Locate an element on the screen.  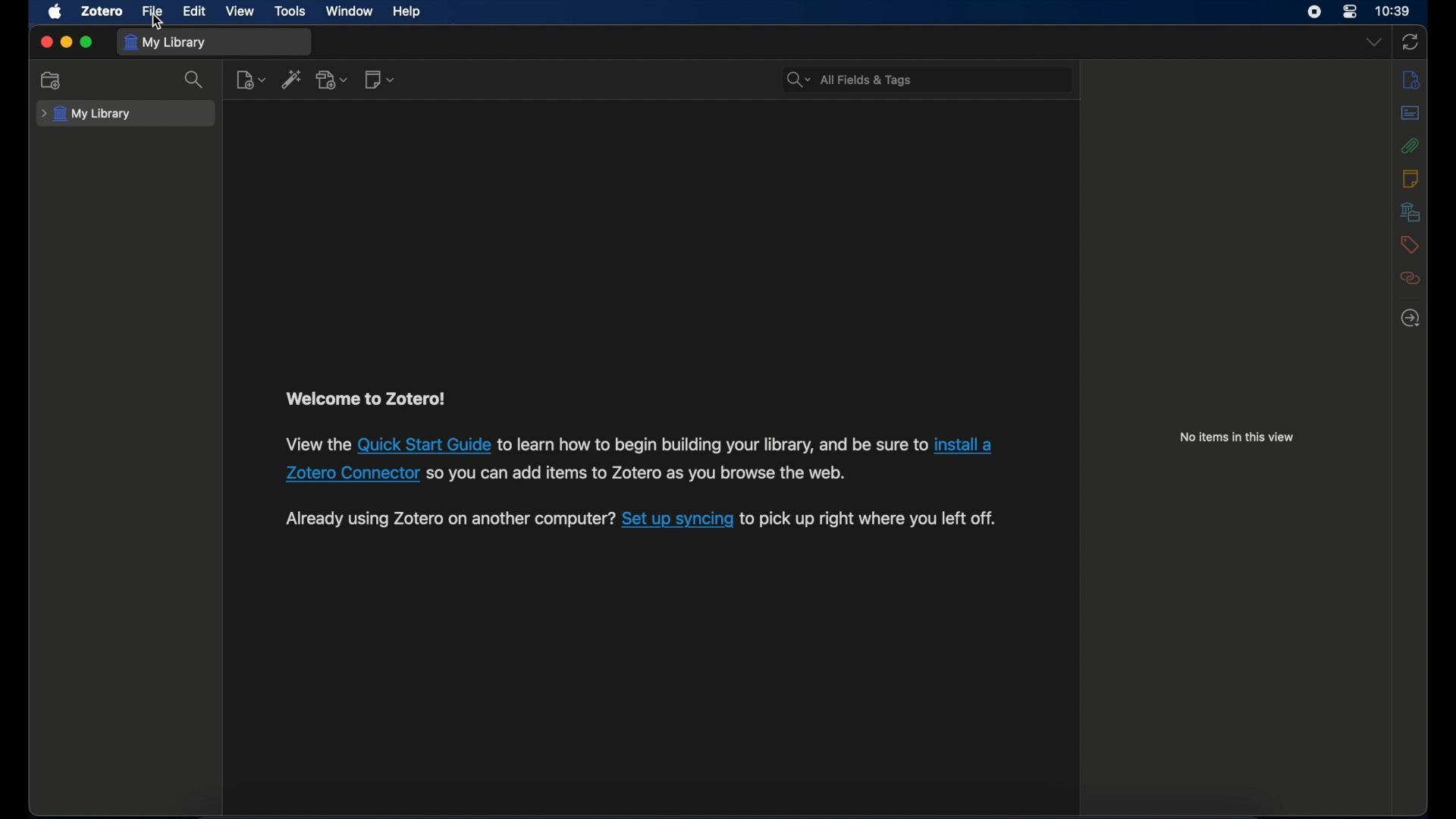
sync is located at coordinates (1411, 42).